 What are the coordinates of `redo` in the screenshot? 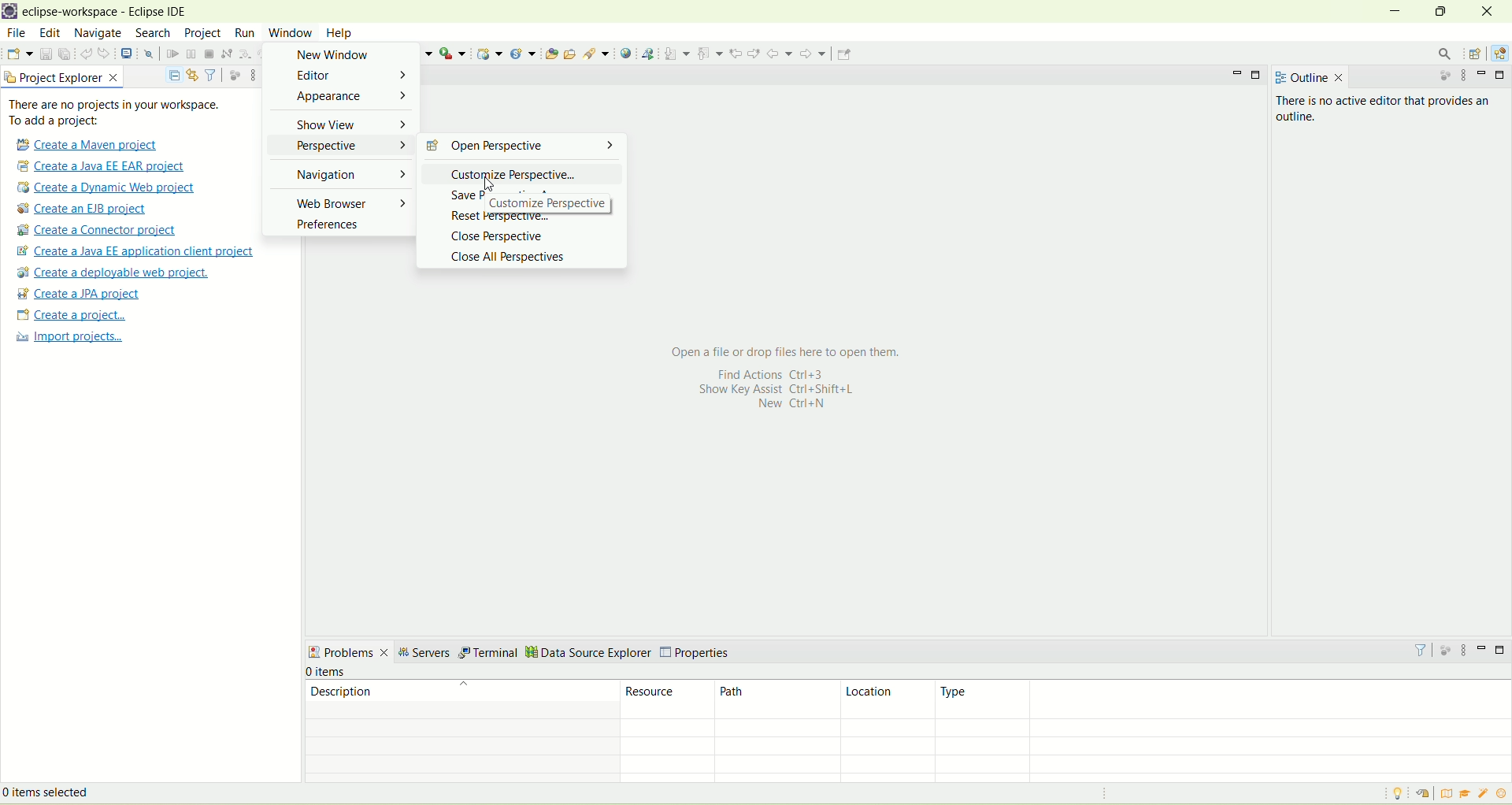 It's located at (105, 54).